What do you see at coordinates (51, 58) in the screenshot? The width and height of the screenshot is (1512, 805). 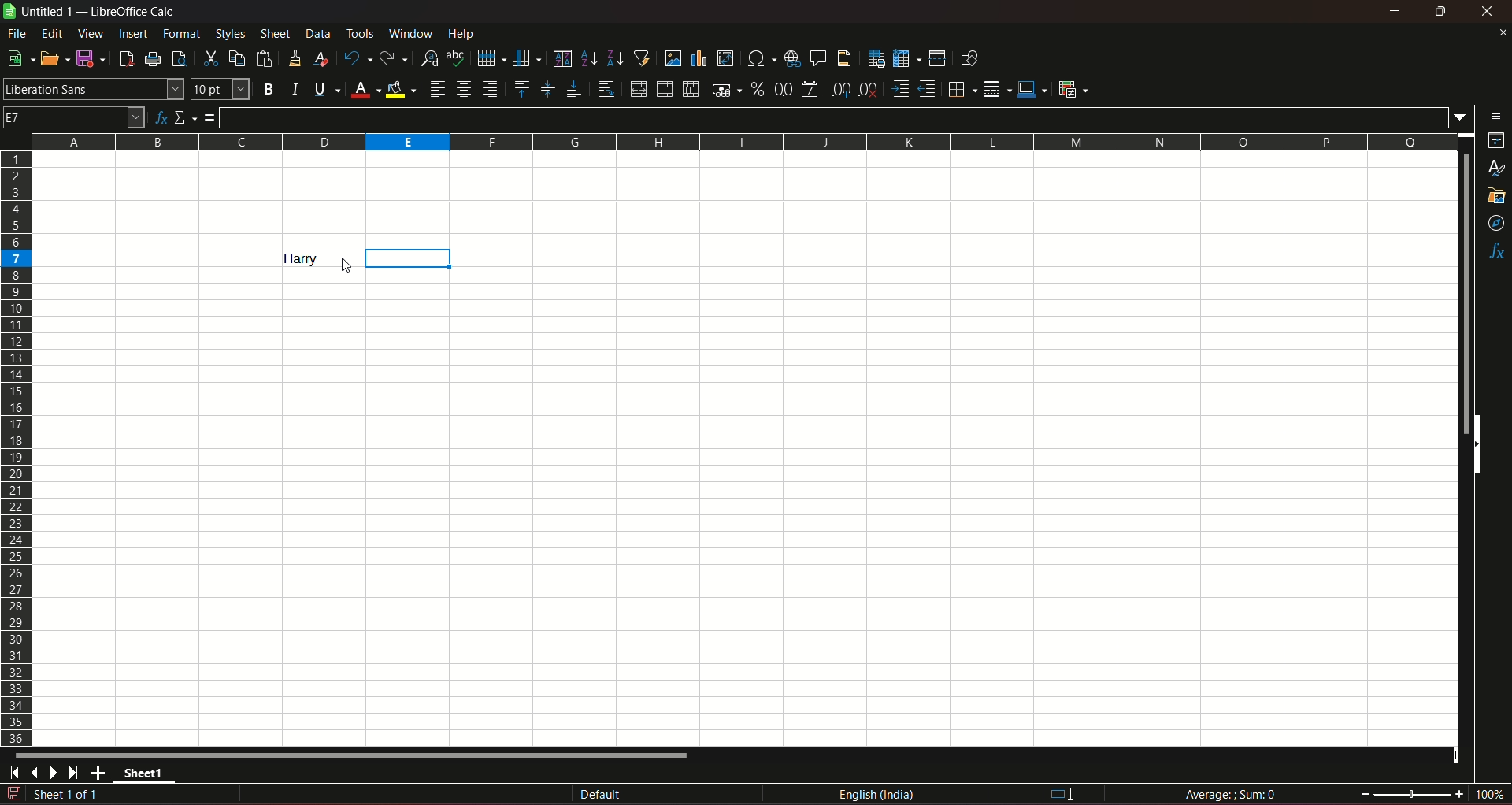 I see `open` at bounding box center [51, 58].